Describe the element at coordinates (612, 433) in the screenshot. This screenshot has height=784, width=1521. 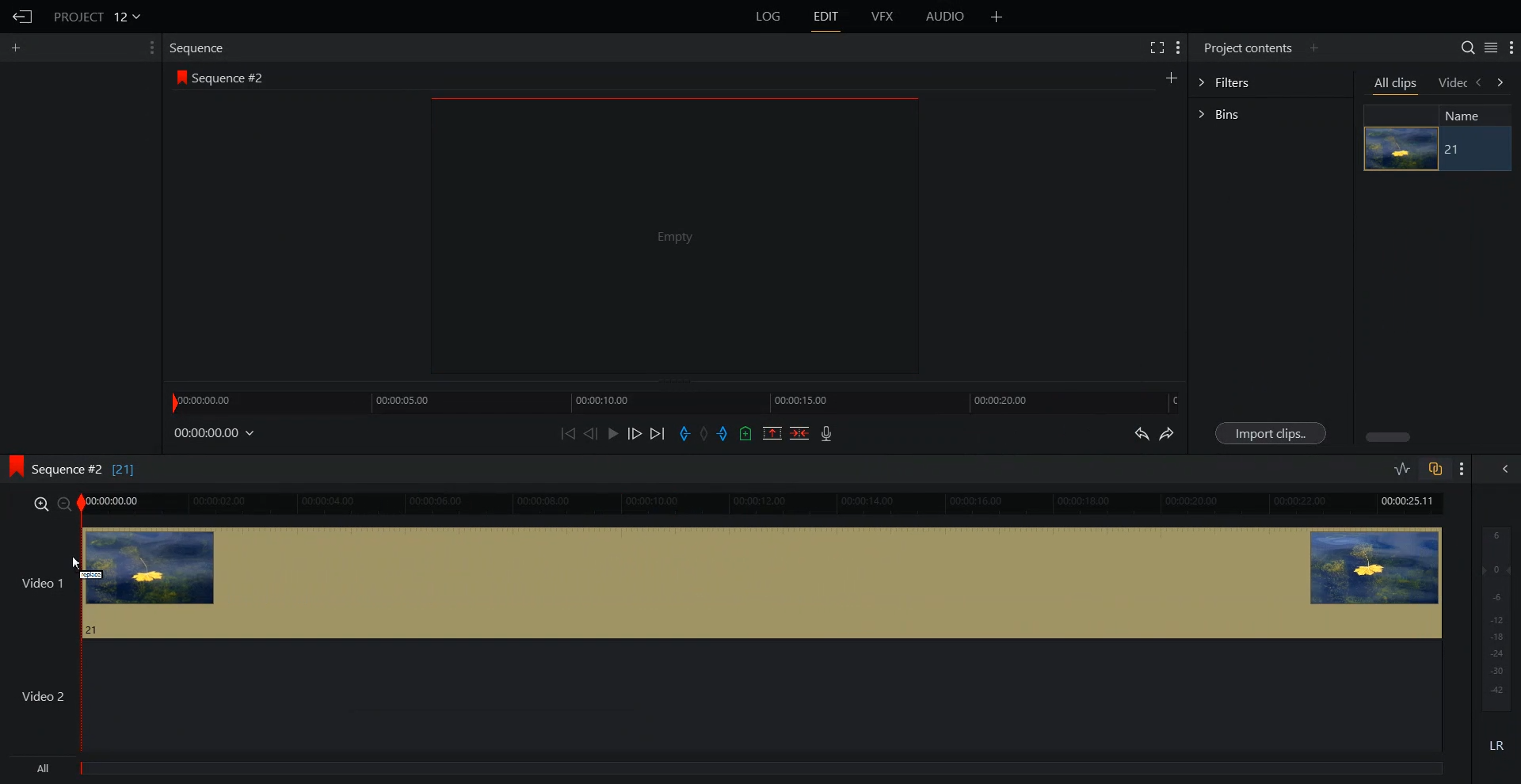
I see `Play` at that location.